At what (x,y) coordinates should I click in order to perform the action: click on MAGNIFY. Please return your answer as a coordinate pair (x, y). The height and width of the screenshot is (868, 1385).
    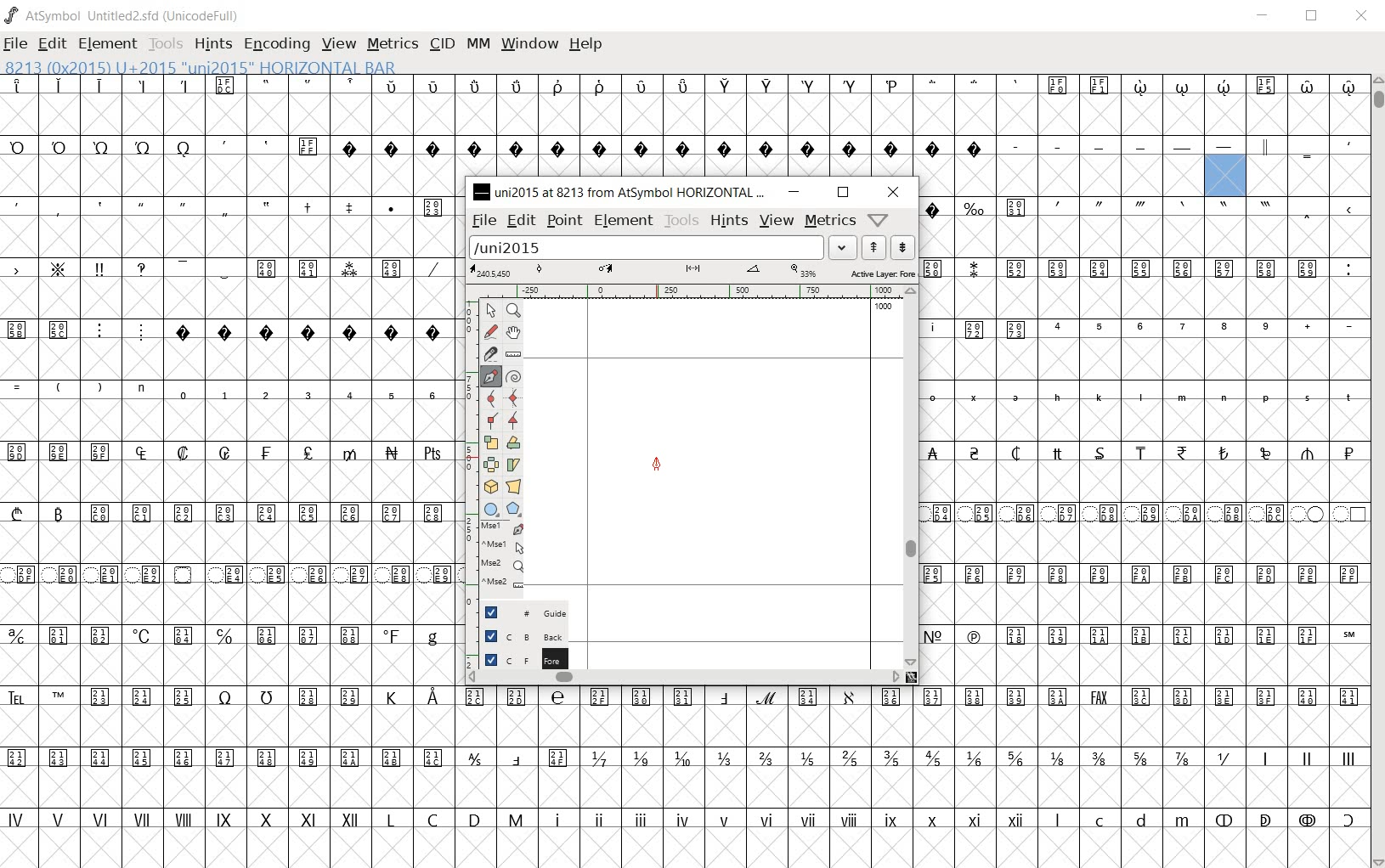
    Looking at the image, I should click on (515, 310).